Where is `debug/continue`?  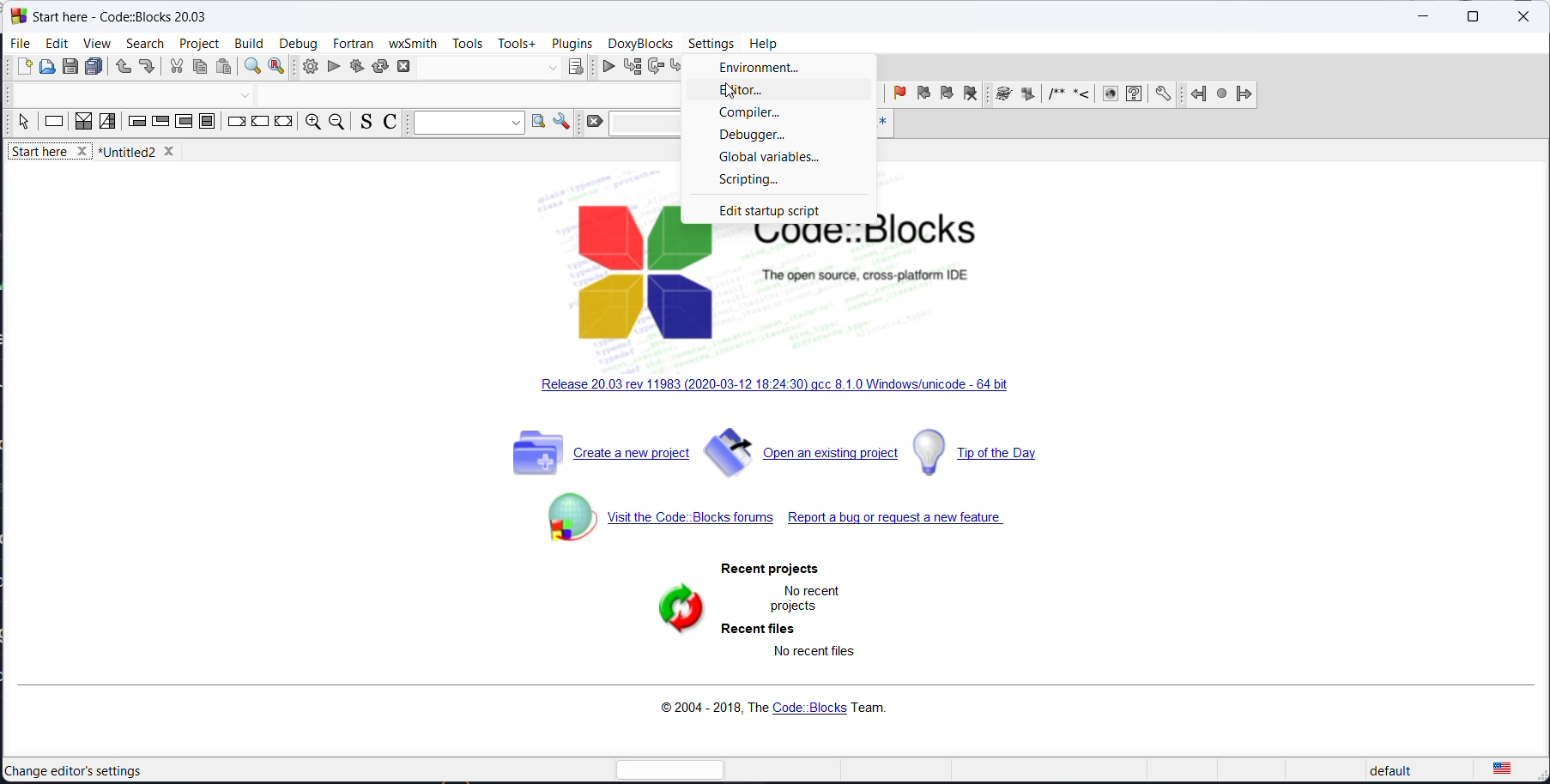 debug/continue is located at coordinates (604, 68).